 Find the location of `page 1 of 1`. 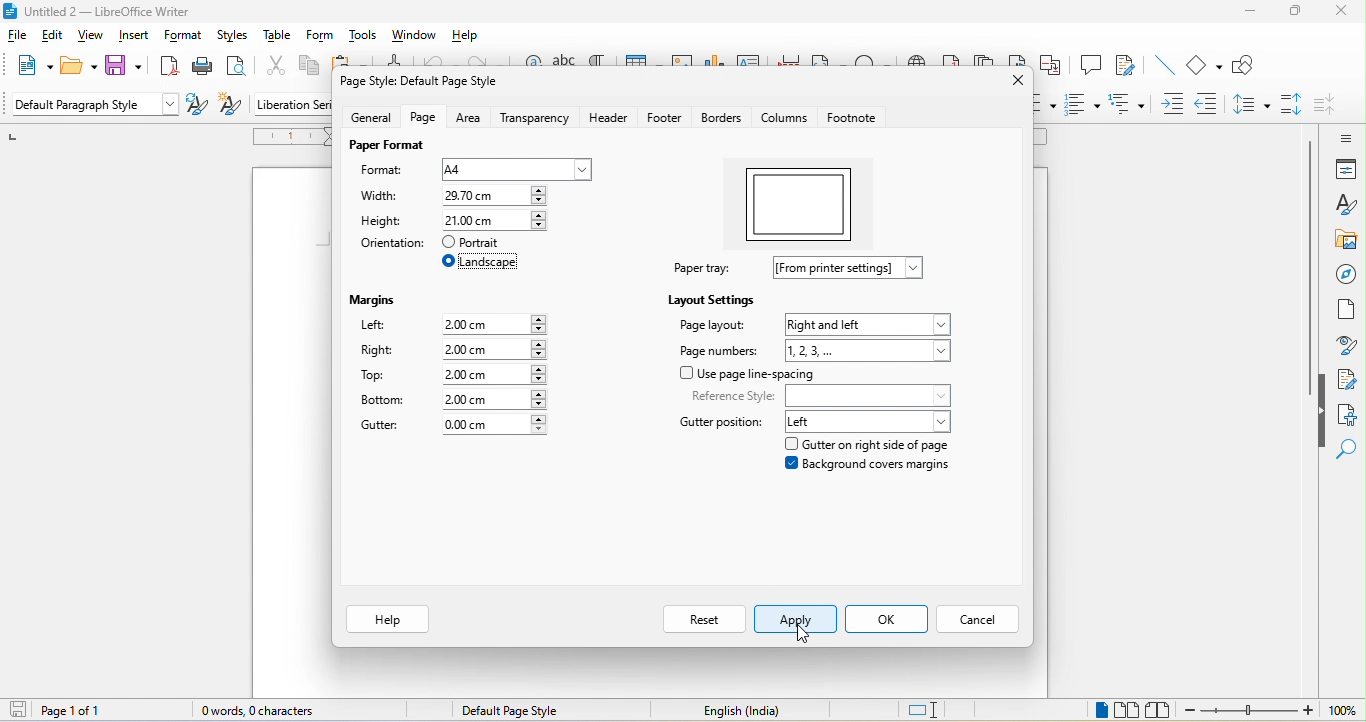

page 1 of 1 is located at coordinates (54, 710).